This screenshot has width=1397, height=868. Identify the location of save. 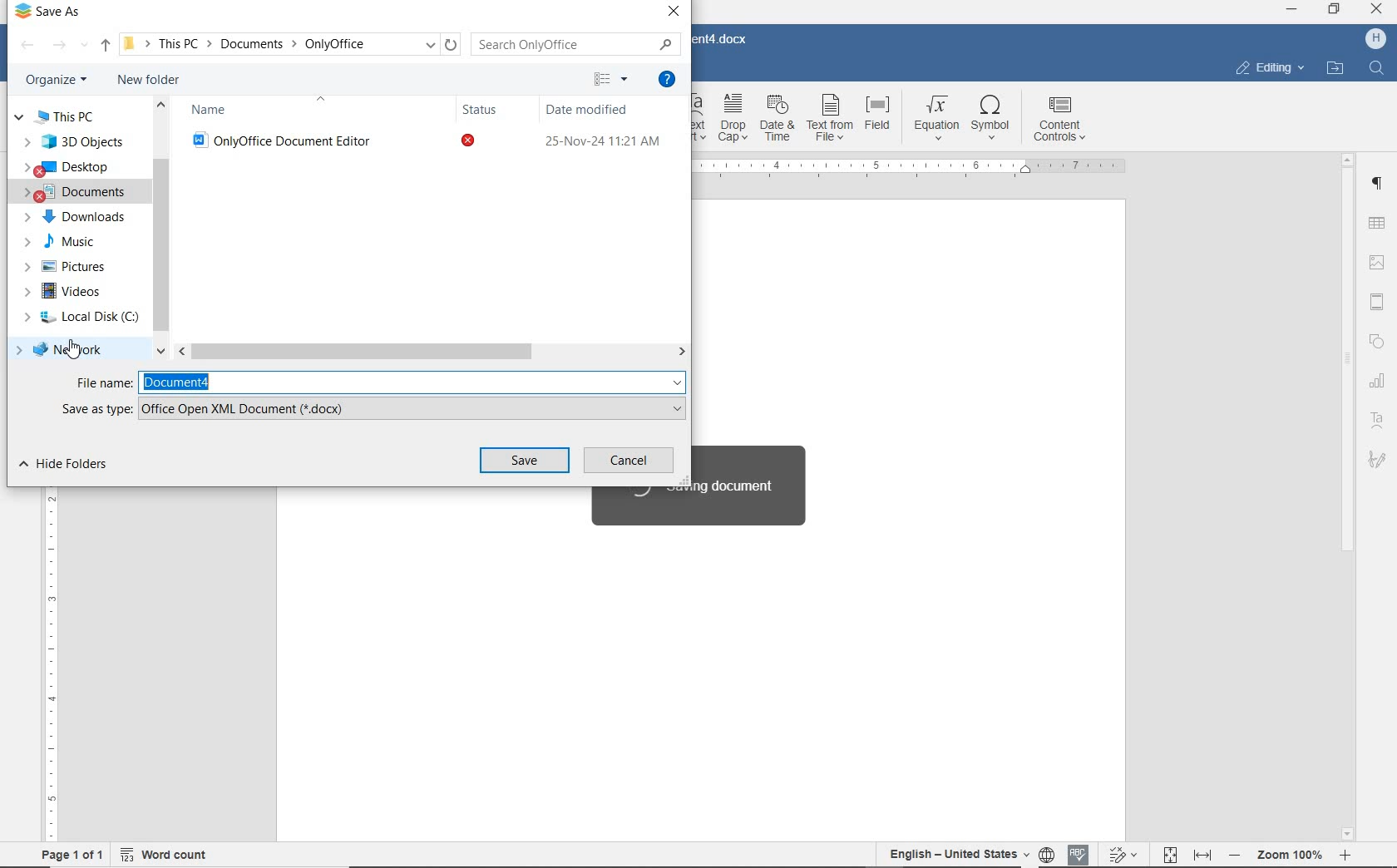
(523, 462).